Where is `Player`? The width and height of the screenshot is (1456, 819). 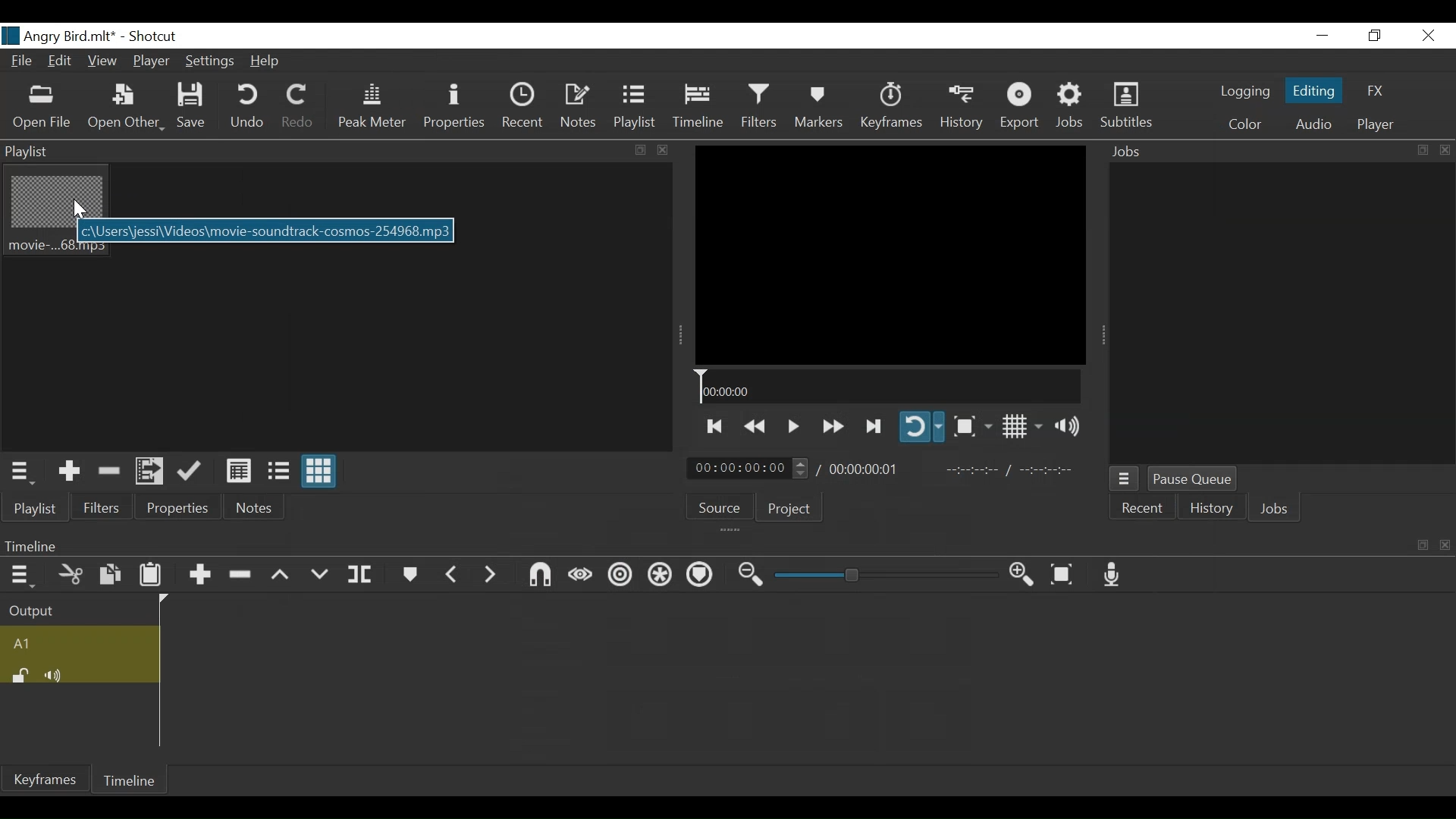 Player is located at coordinates (149, 63).